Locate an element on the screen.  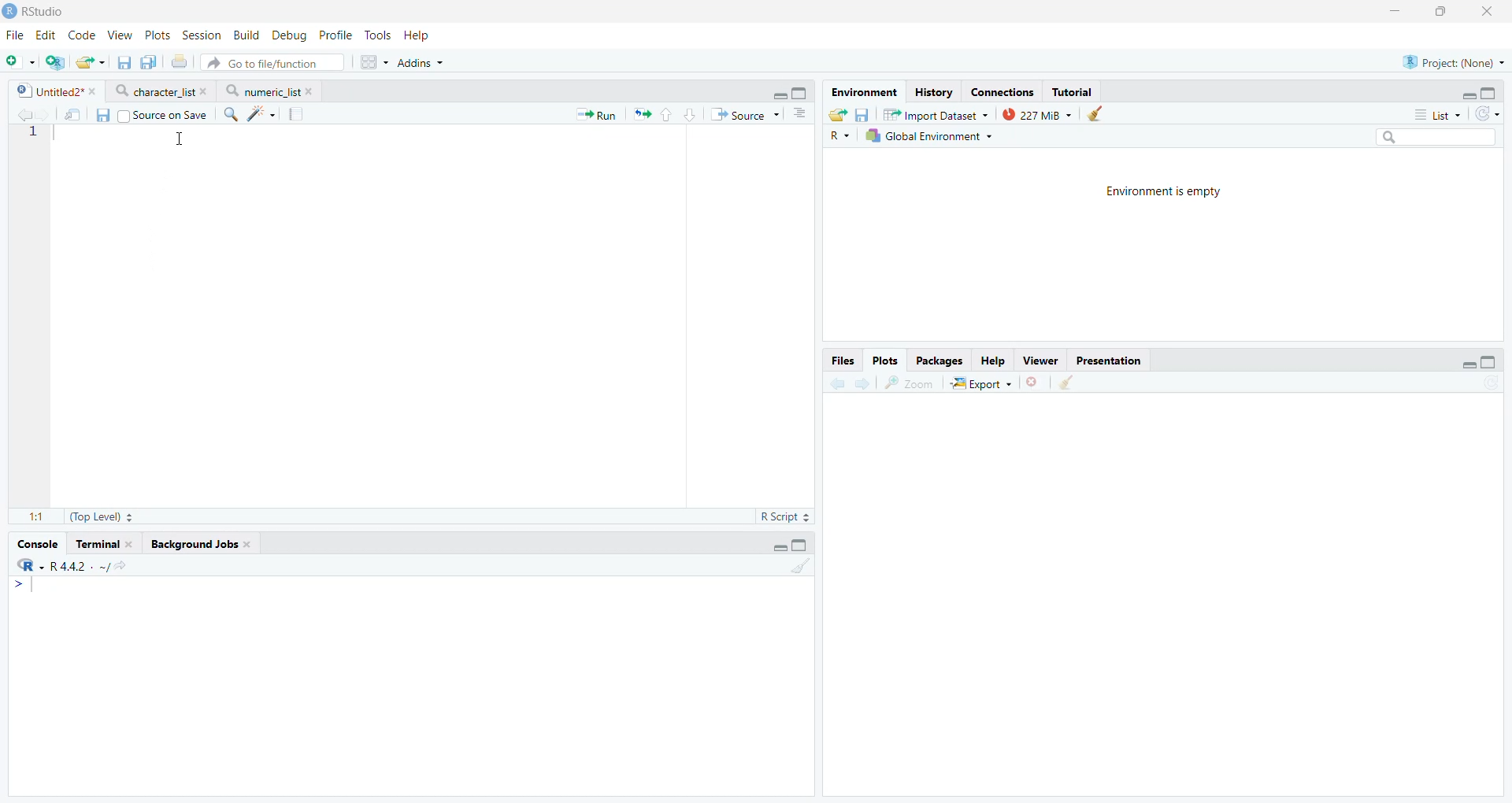
View is located at coordinates (119, 33).